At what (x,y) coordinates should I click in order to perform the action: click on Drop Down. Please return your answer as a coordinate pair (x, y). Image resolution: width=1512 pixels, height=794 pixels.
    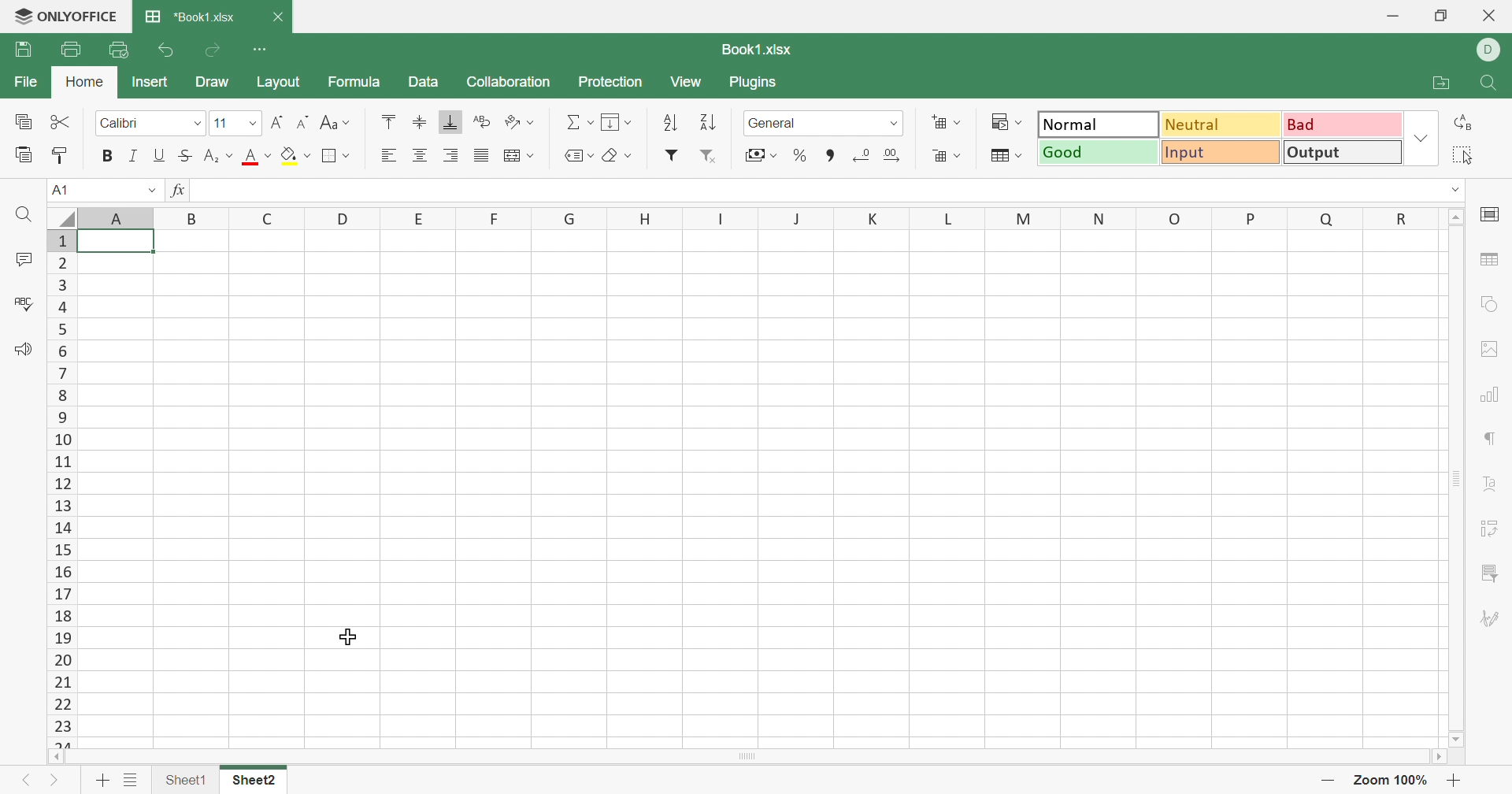
    Looking at the image, I should click on (347, 123).